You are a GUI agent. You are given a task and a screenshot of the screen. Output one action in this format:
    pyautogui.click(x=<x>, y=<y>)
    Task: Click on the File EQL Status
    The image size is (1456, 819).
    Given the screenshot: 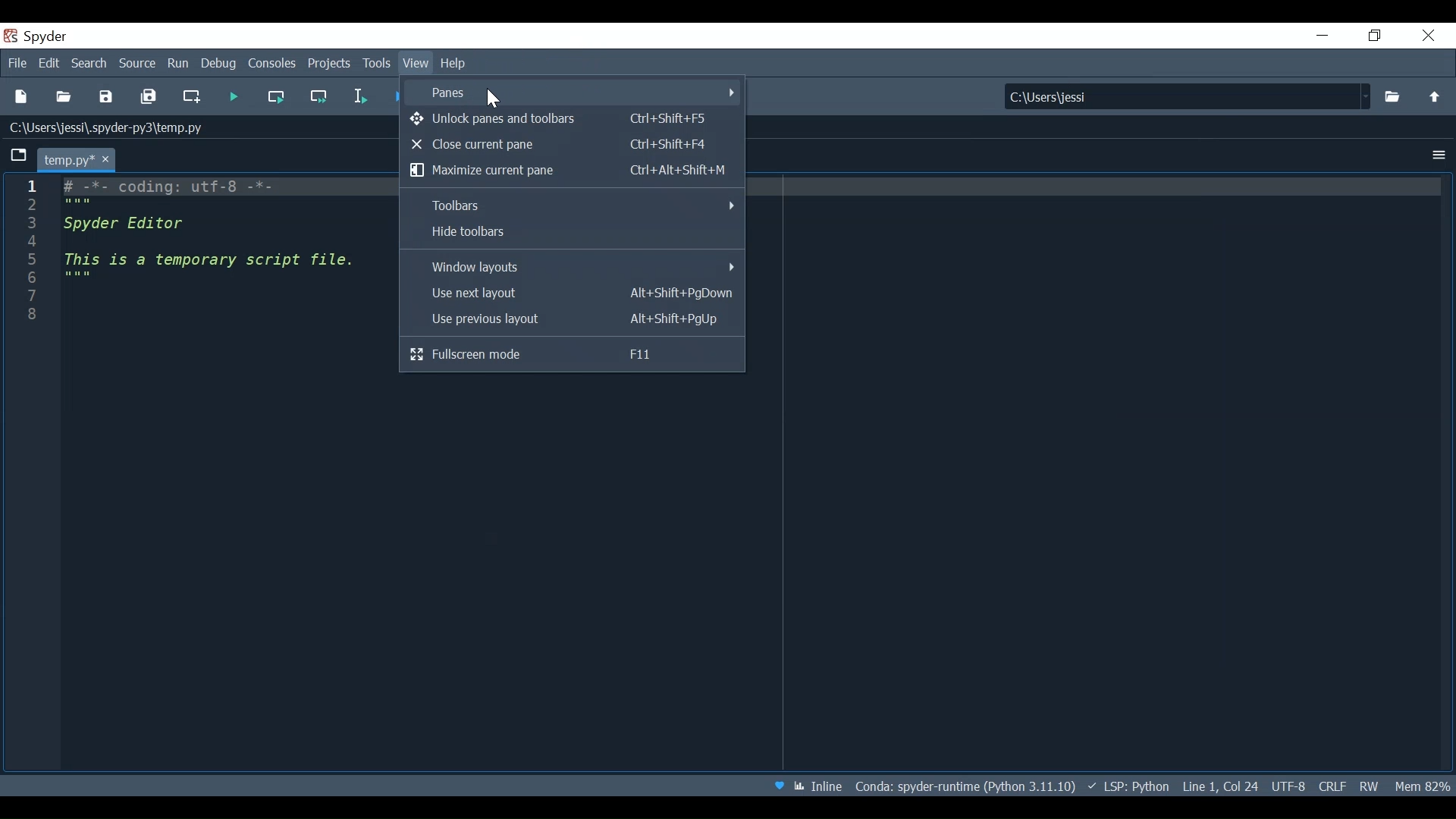 What is the action you would take?
    pyautogui.click(x=1332, y=784)
    